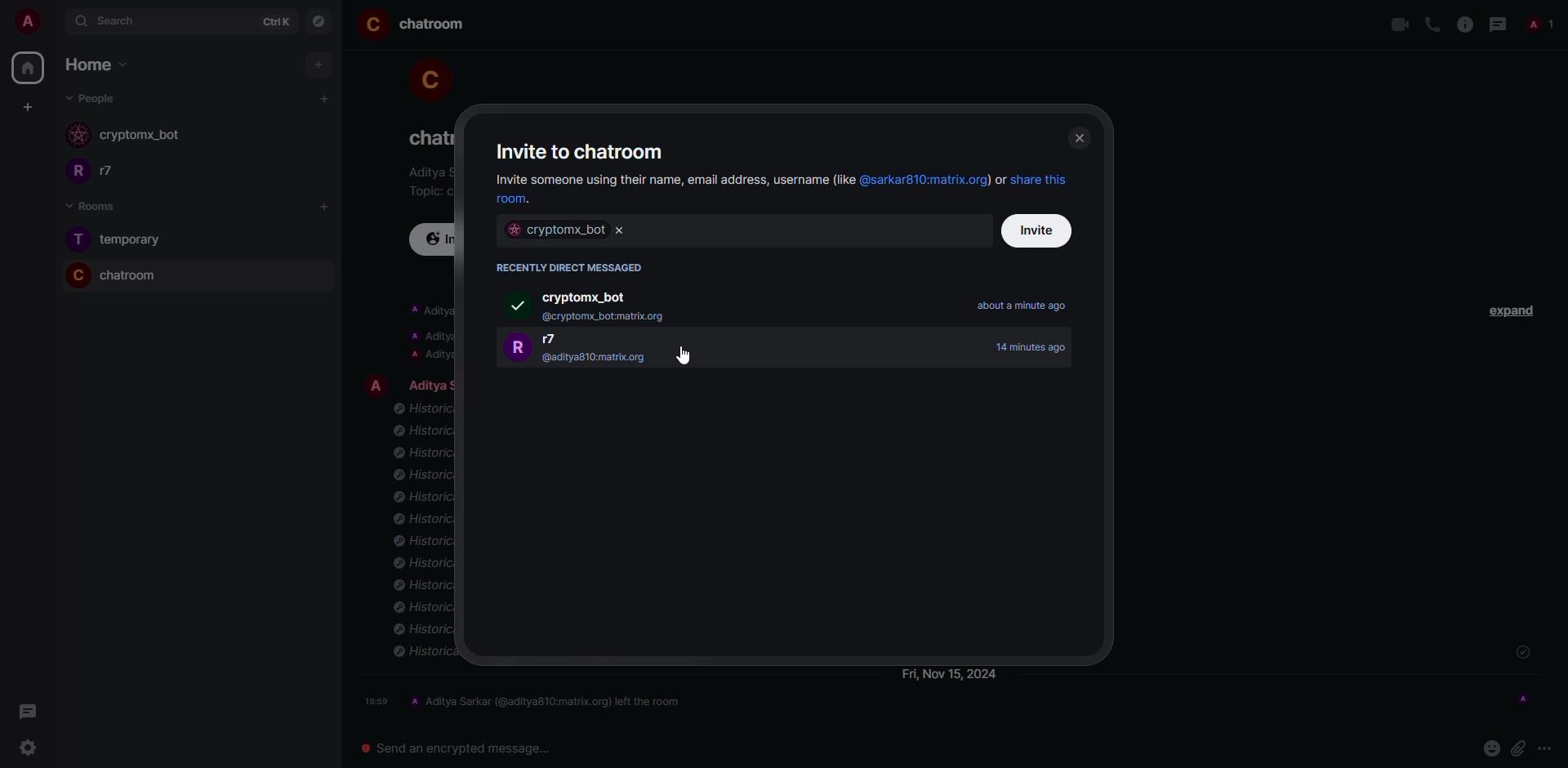 Image resolution: width=1568 pixels, height=768 pixels. Describe the element at coordinates (1490, 747) in the screenshot. I see `emoji` at that location.